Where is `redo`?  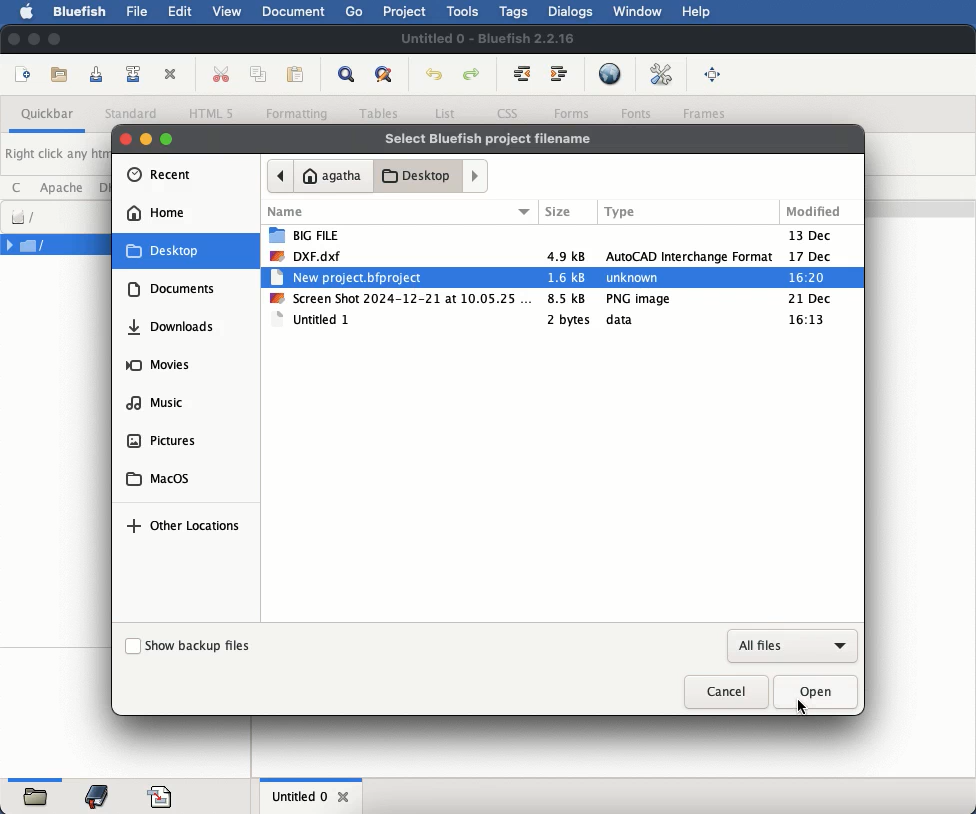 redo is located at coordinates (474, 75).